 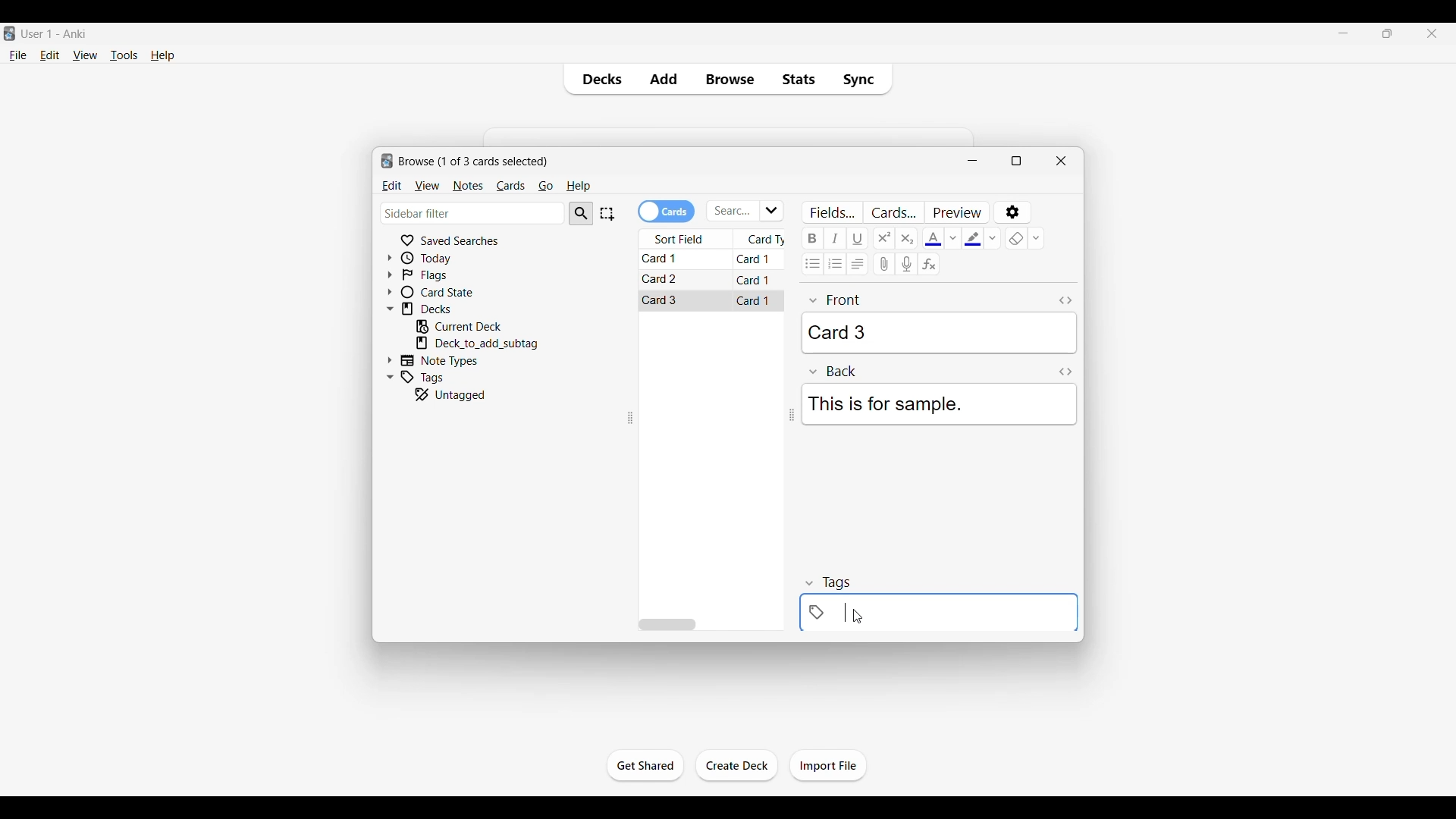 I want to click on eraser, so click(x=1016, y=238).